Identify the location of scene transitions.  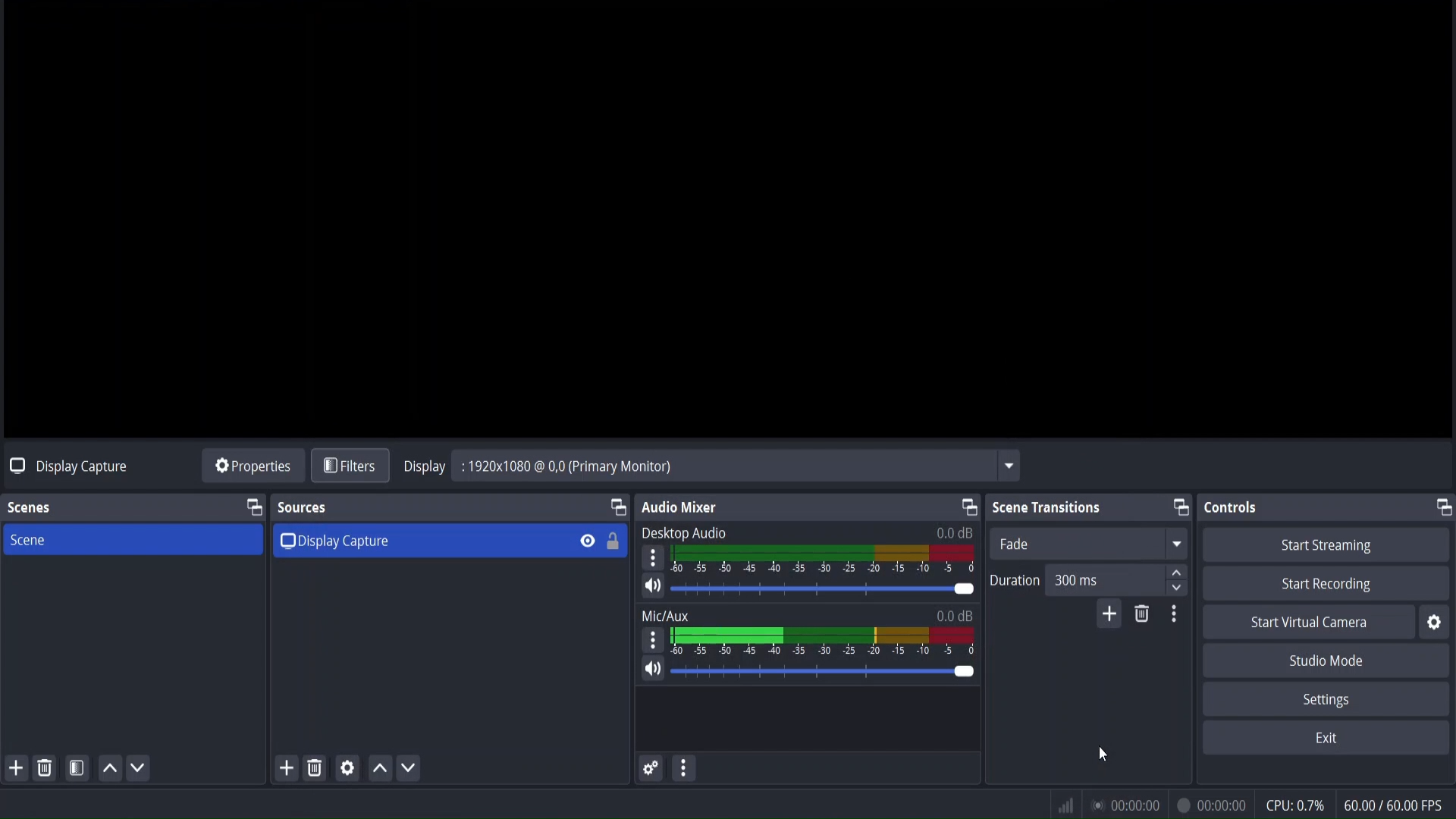
(1049, 508).